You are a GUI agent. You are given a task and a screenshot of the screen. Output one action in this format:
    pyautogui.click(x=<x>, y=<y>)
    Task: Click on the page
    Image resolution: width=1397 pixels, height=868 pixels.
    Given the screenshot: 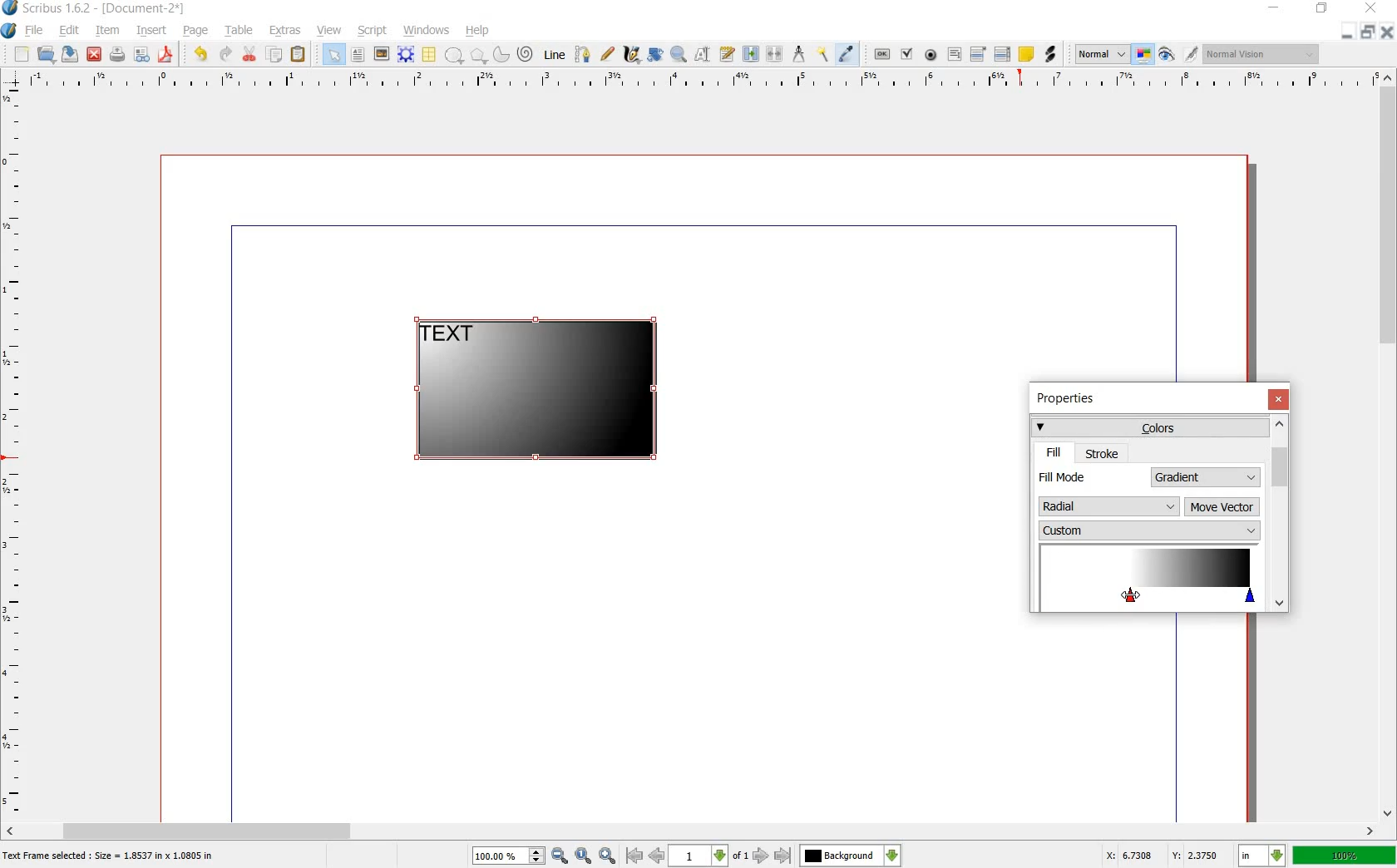 What is the action you would take?
    pyautogui.click(x=196, y=32)
    